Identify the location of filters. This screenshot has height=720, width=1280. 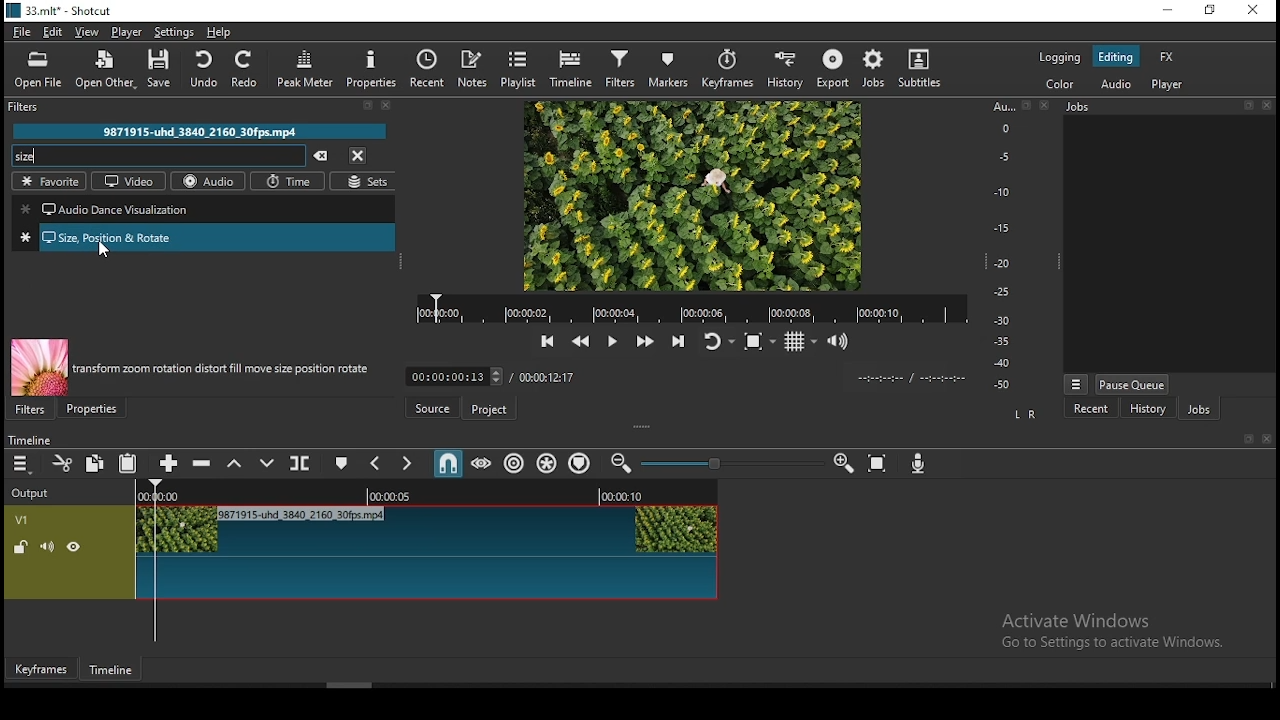
(627, 69).